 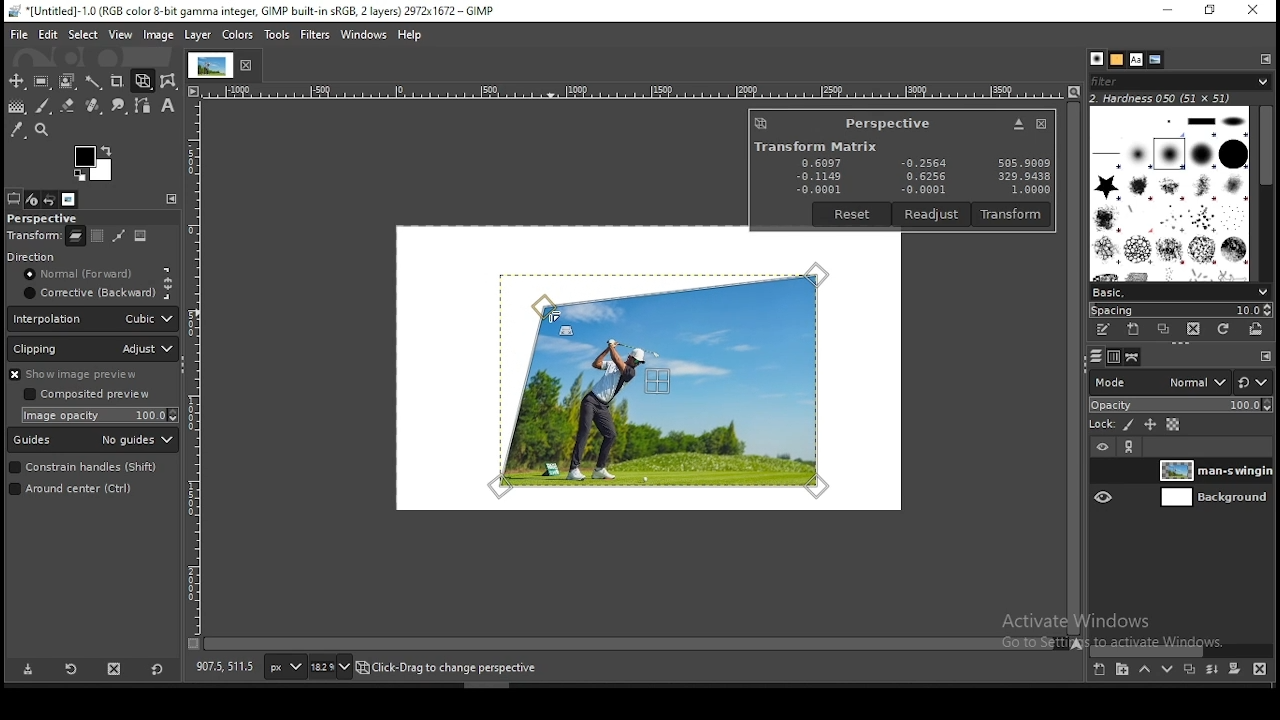 What do you see at coordinates (94, 349) in the screenshot?
I see `clipping` at bounding box center [94, 349].